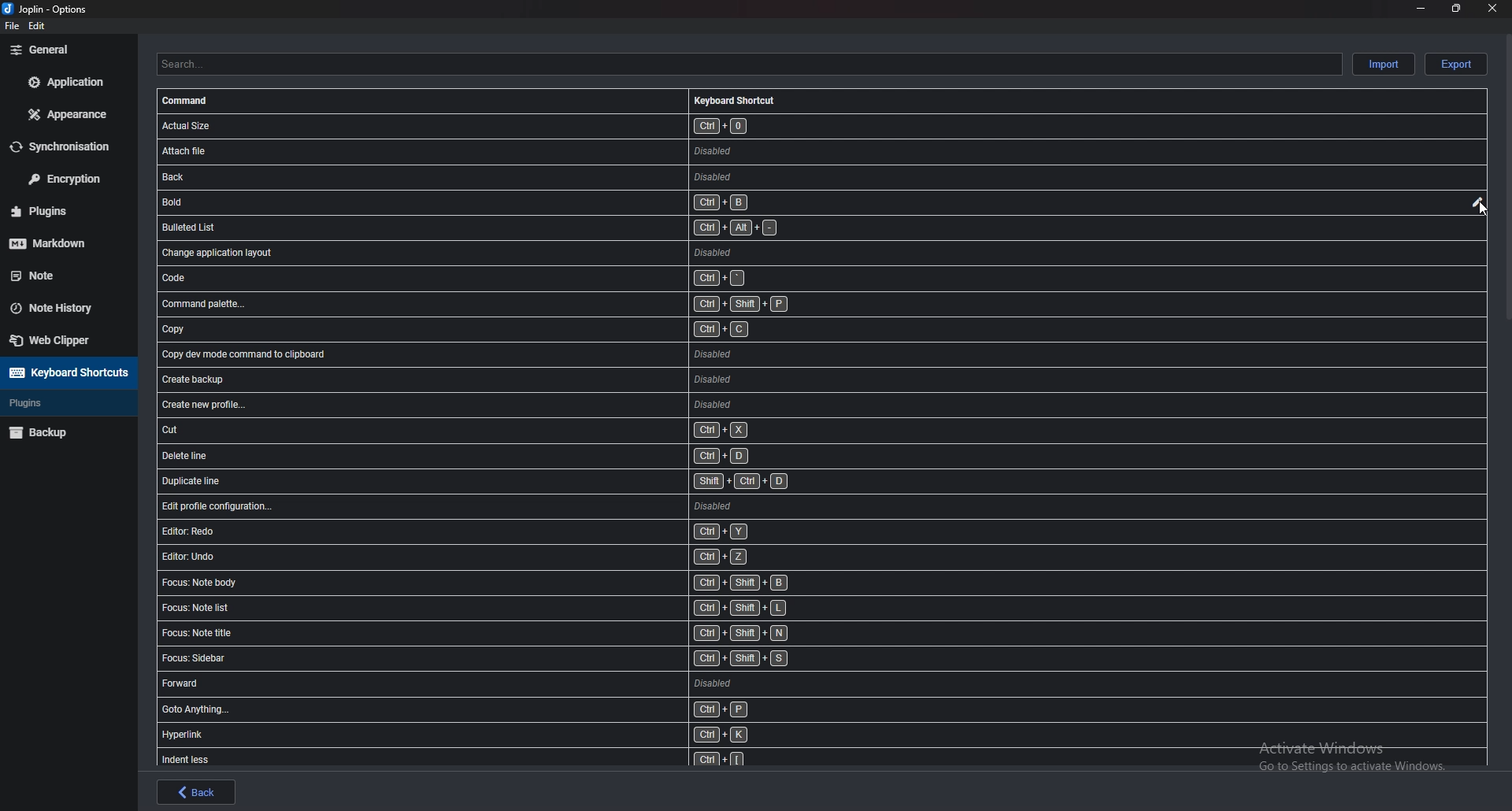  Describe the element at coordinates (511, 558) in the screenshot. I see `shortcut` at that location.